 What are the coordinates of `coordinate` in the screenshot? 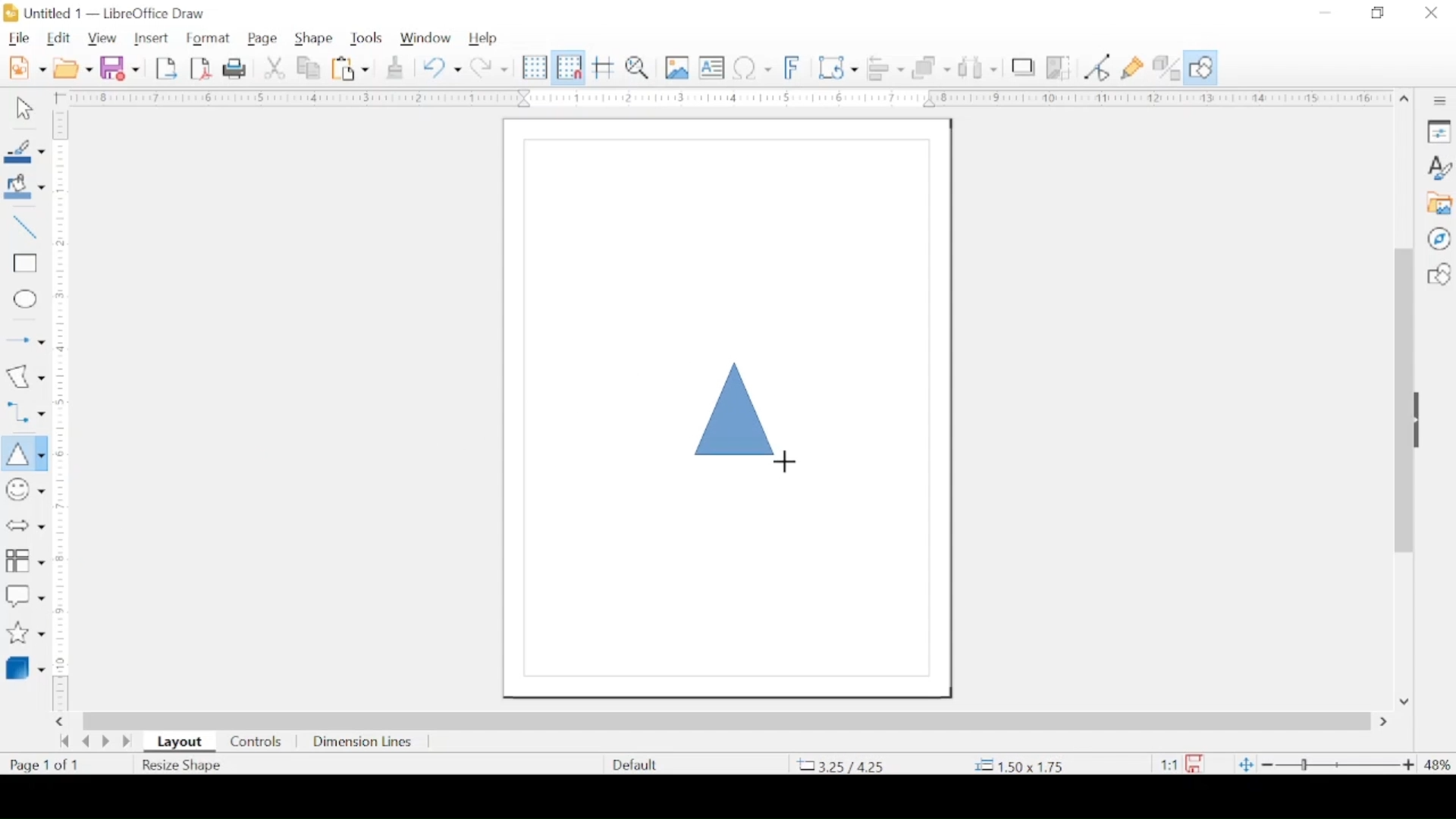 It's located at (843, 765).